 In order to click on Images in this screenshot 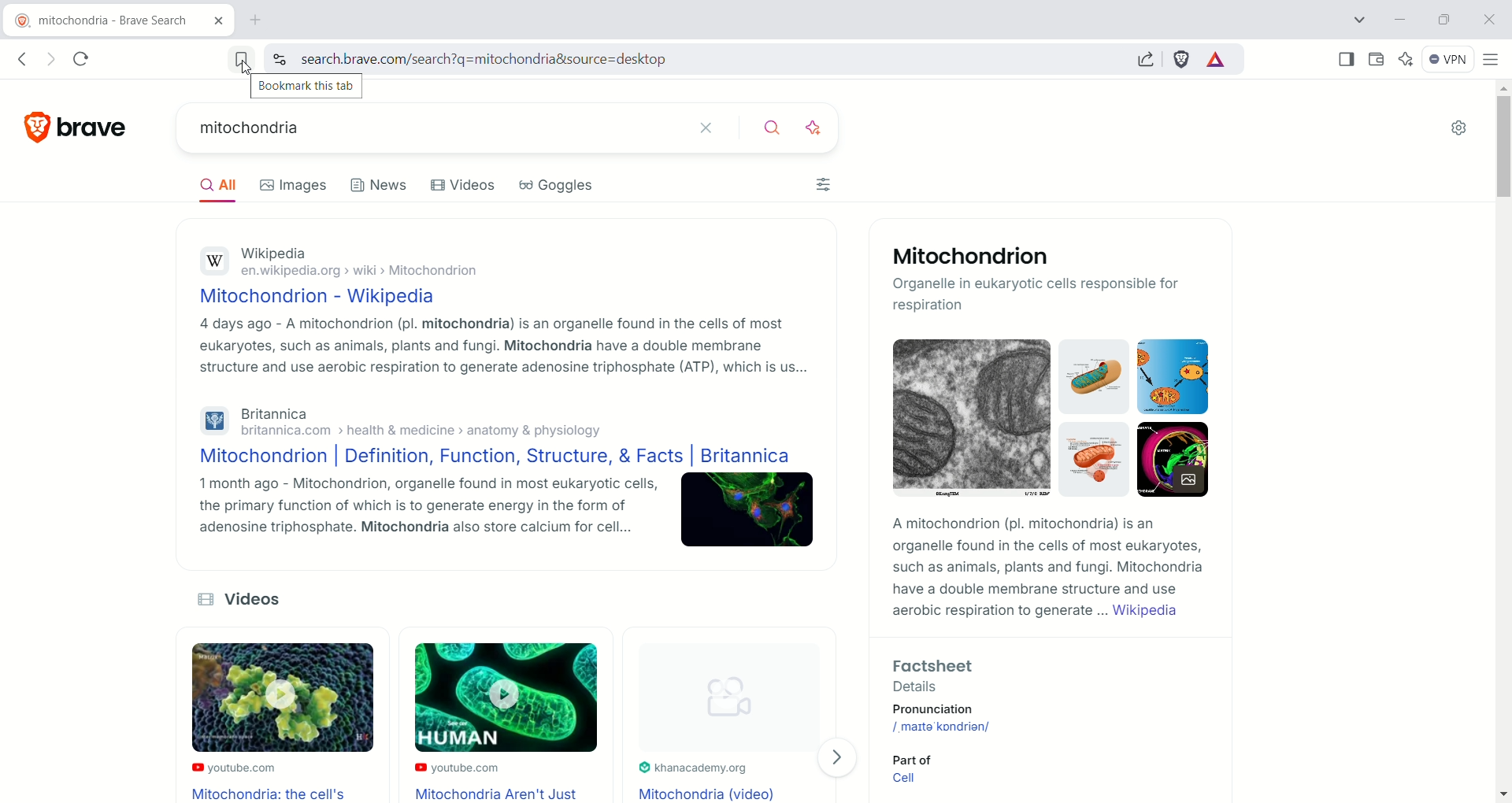, I will do `click(292, 187)`.